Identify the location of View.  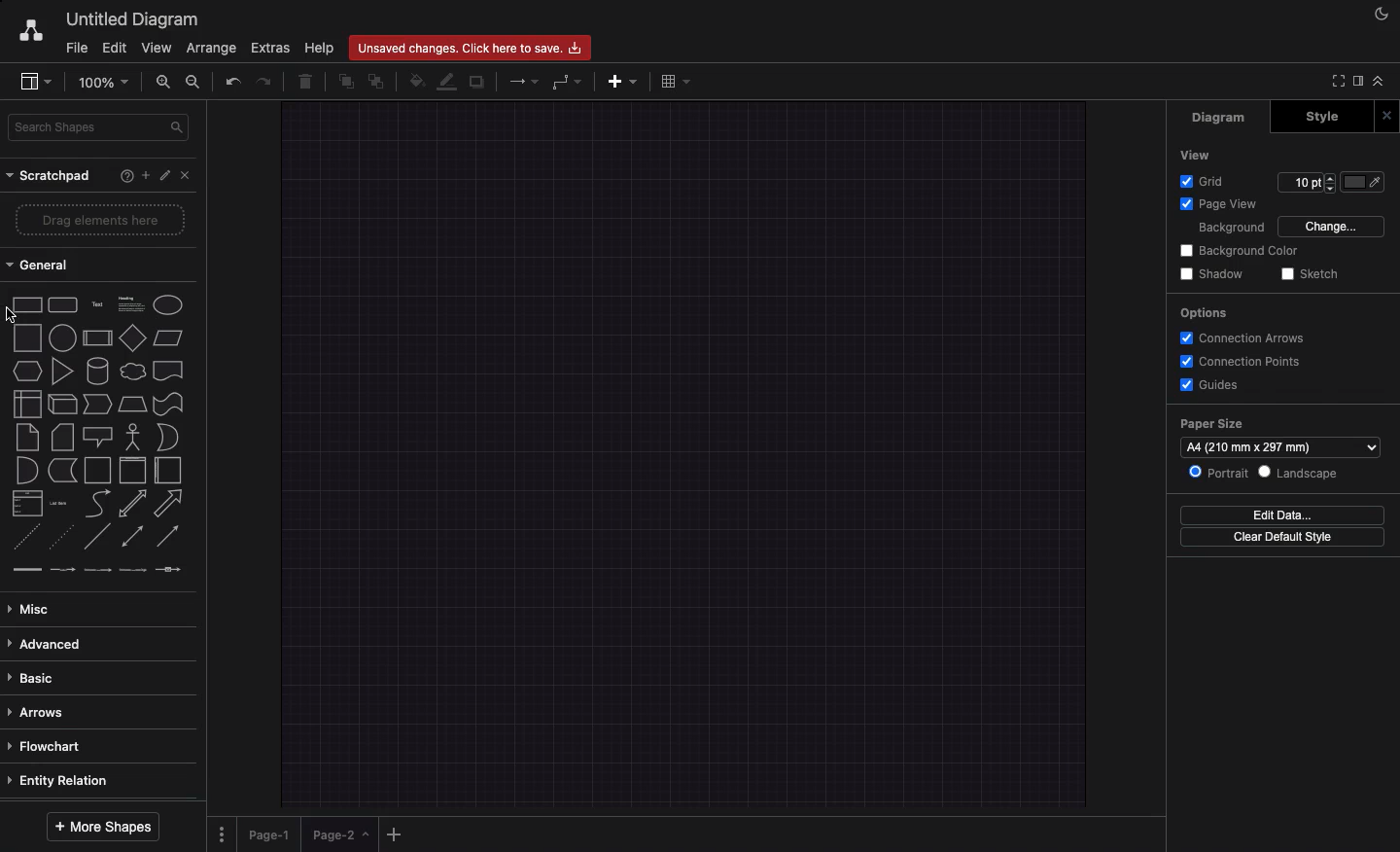
(1199, 156).